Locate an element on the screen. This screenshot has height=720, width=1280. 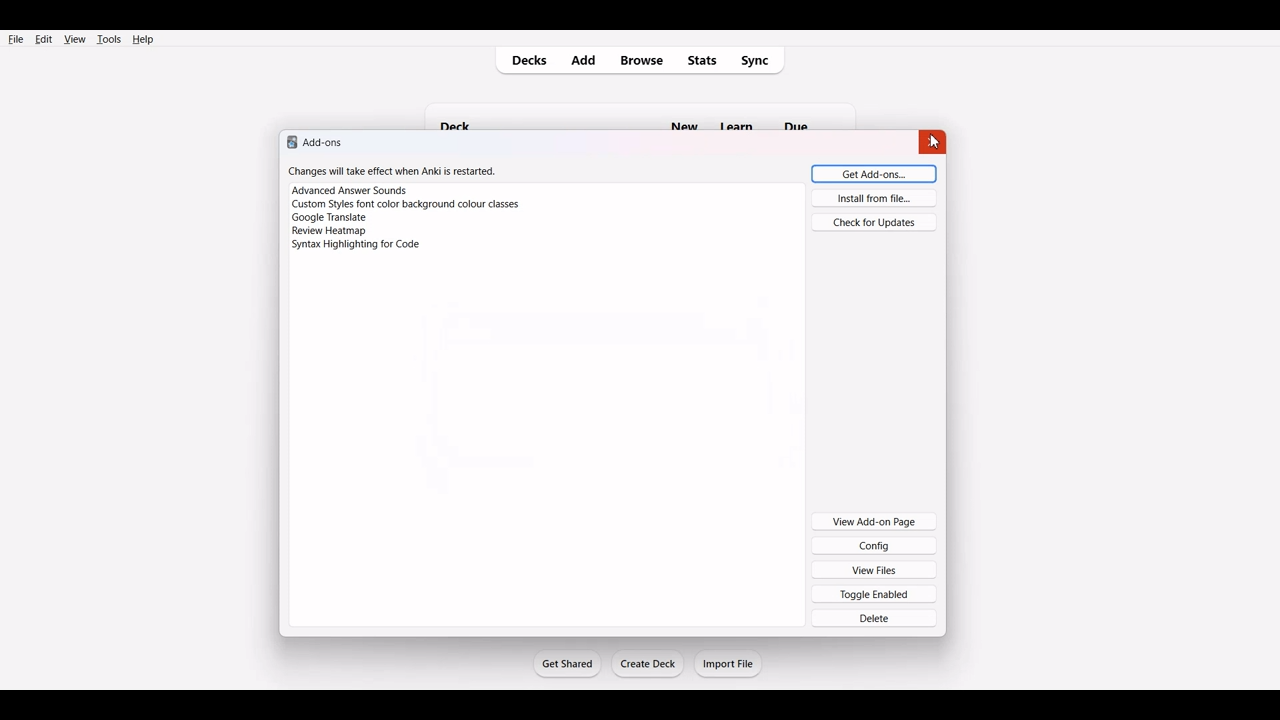
View is located at coordinates (74, 39).